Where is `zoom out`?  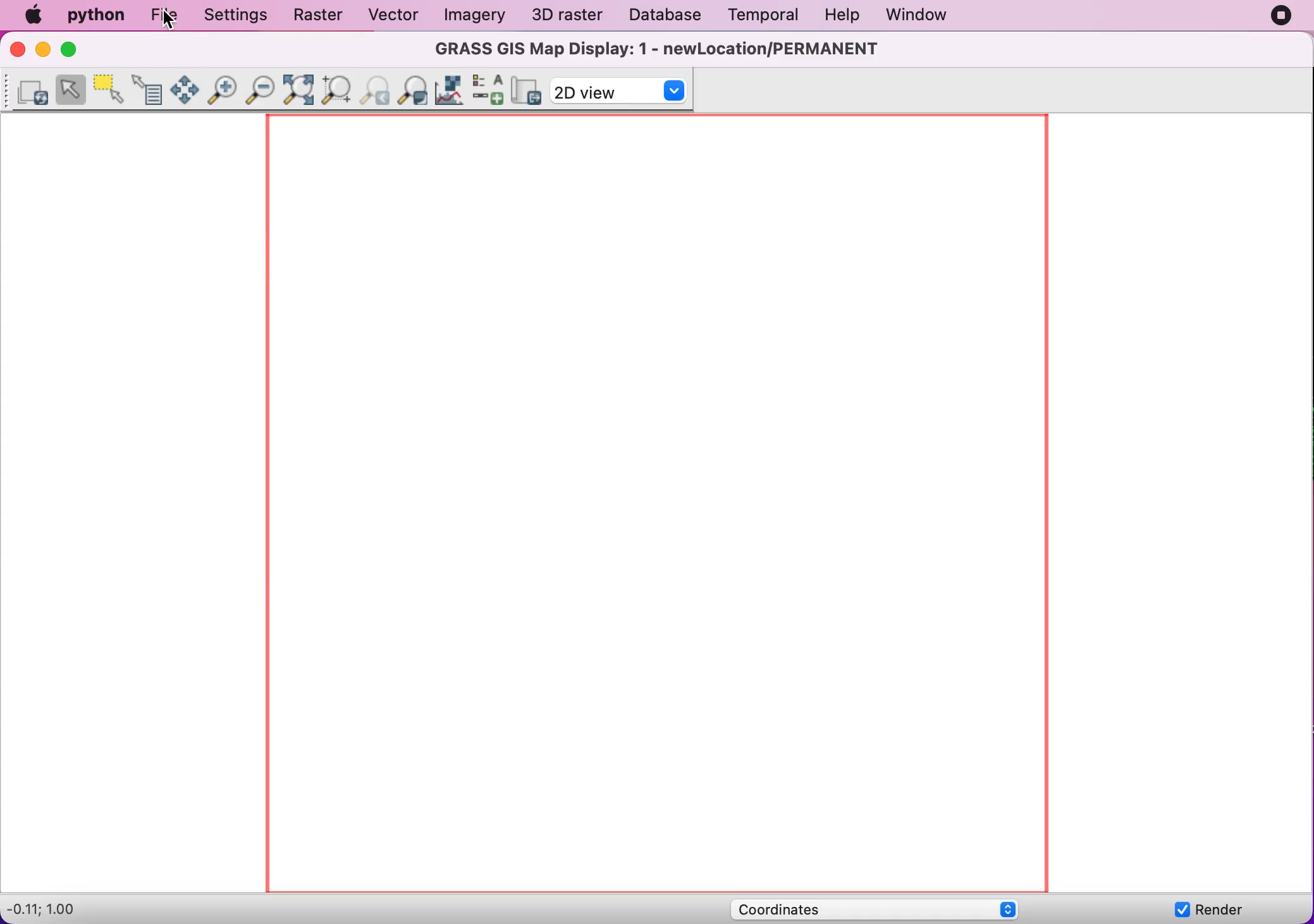
zoom out is located at coordinates (261, 89).